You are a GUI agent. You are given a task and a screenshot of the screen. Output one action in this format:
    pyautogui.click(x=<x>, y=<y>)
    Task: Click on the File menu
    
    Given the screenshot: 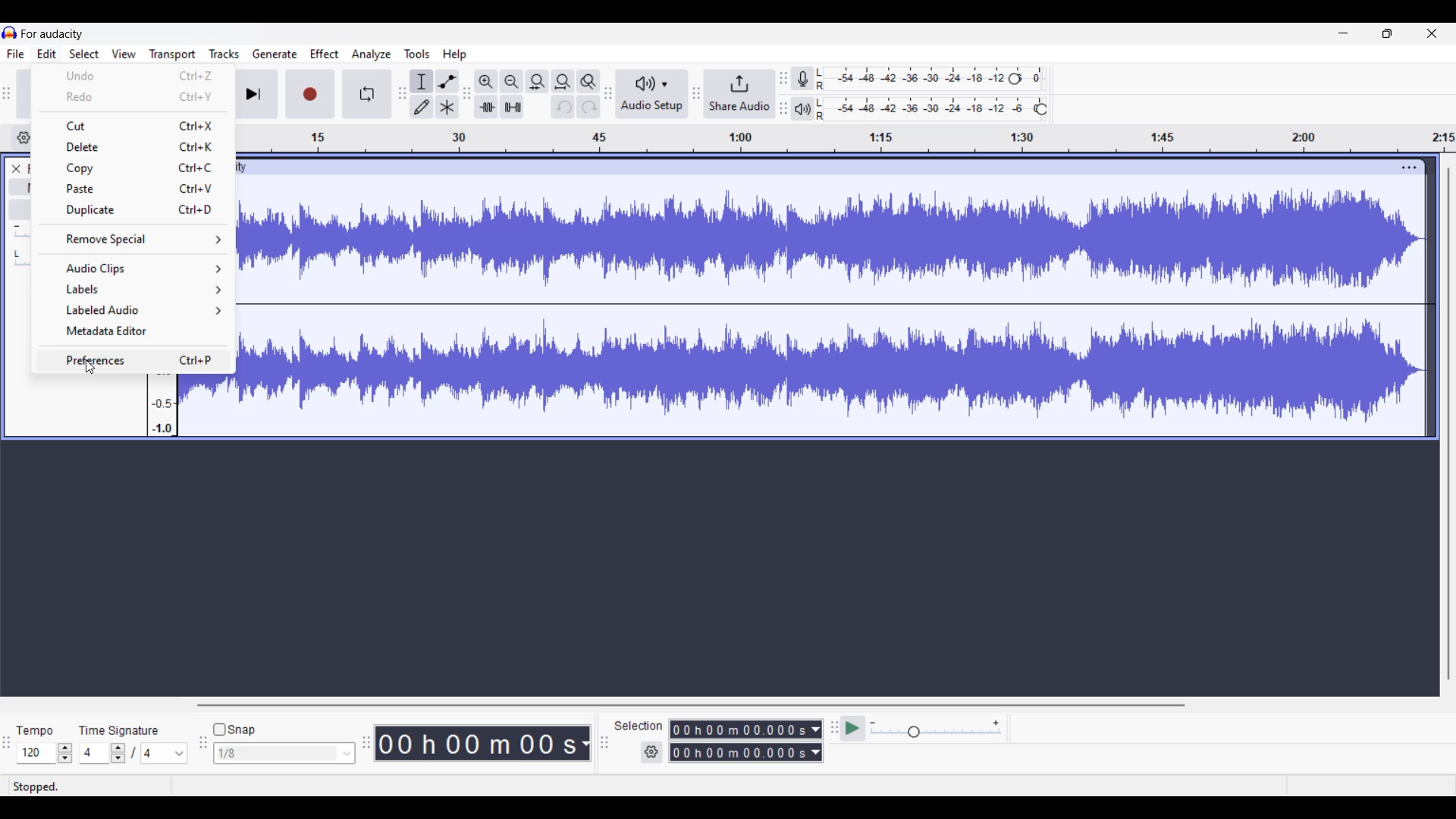 What is the action you would take?
    pyautogui.click(x=16, y=54)
    